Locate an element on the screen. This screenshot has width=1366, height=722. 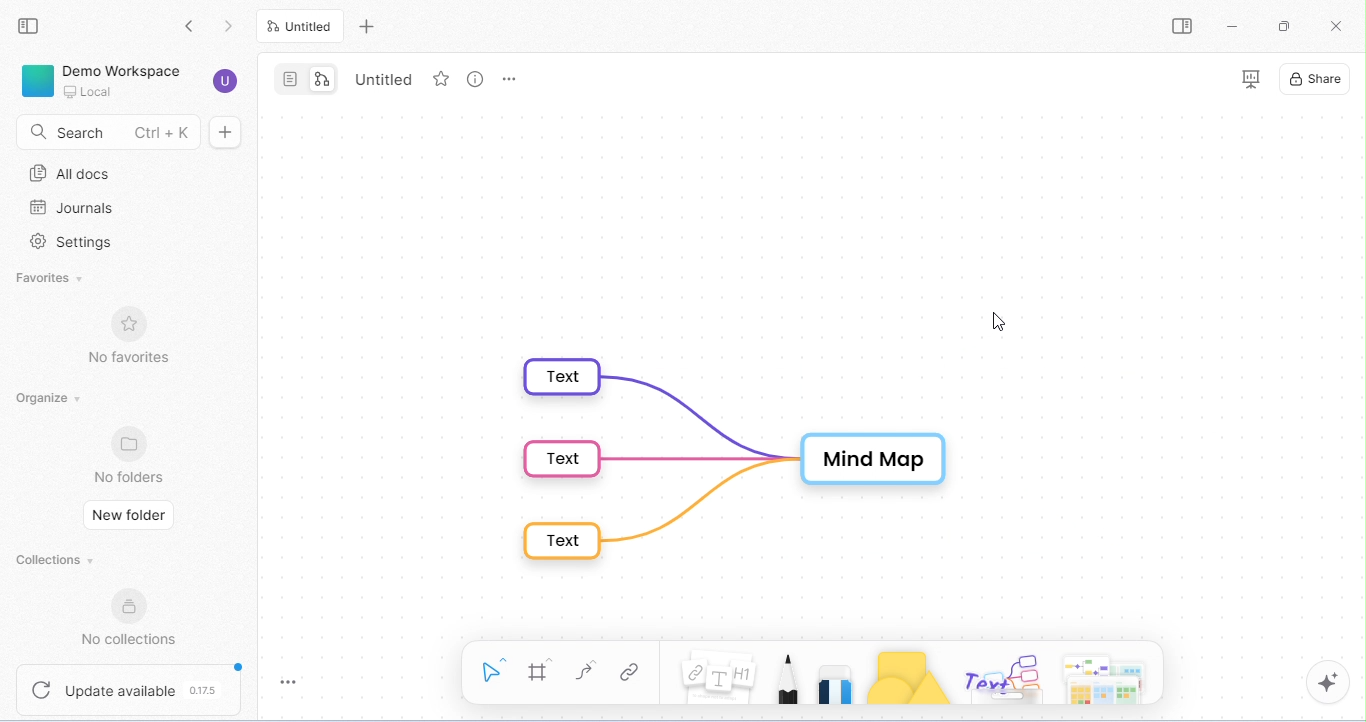
view info is located at coordinates (472, 79).